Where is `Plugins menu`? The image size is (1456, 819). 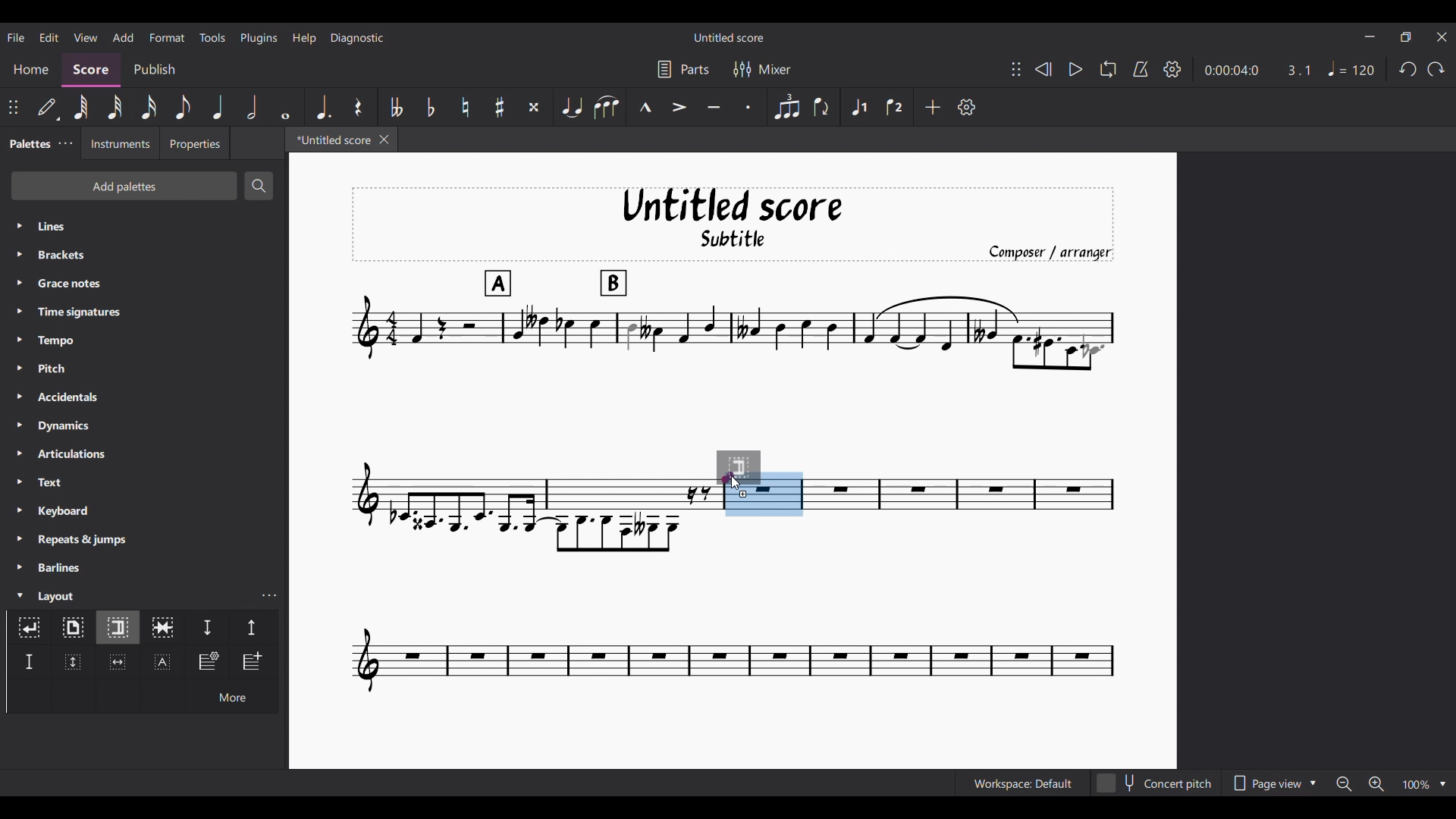
Plugins menu is located at coordinates (259, 38).